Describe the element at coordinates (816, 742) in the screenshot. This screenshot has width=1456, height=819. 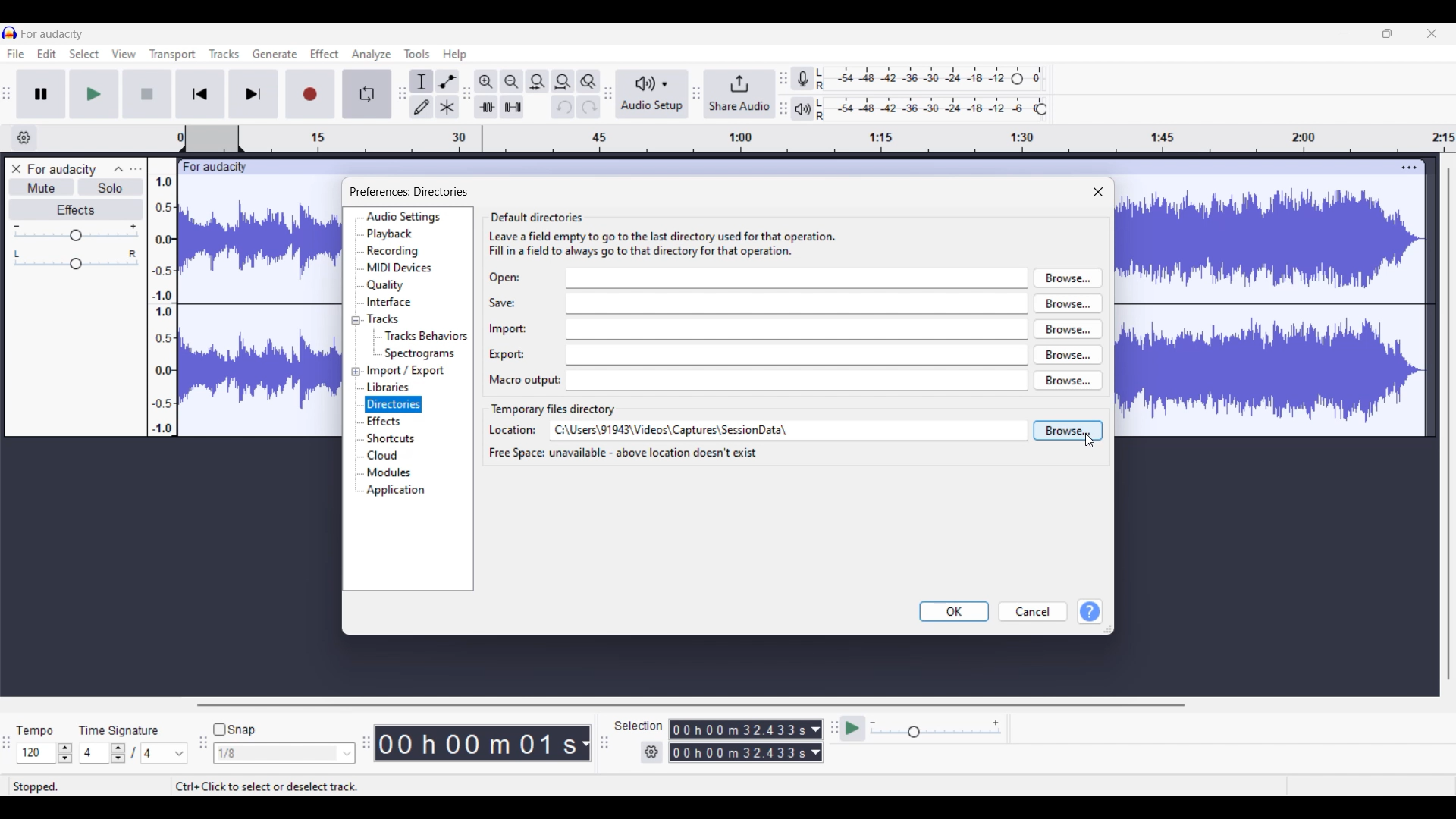
I see `Duration measurement` at that location.